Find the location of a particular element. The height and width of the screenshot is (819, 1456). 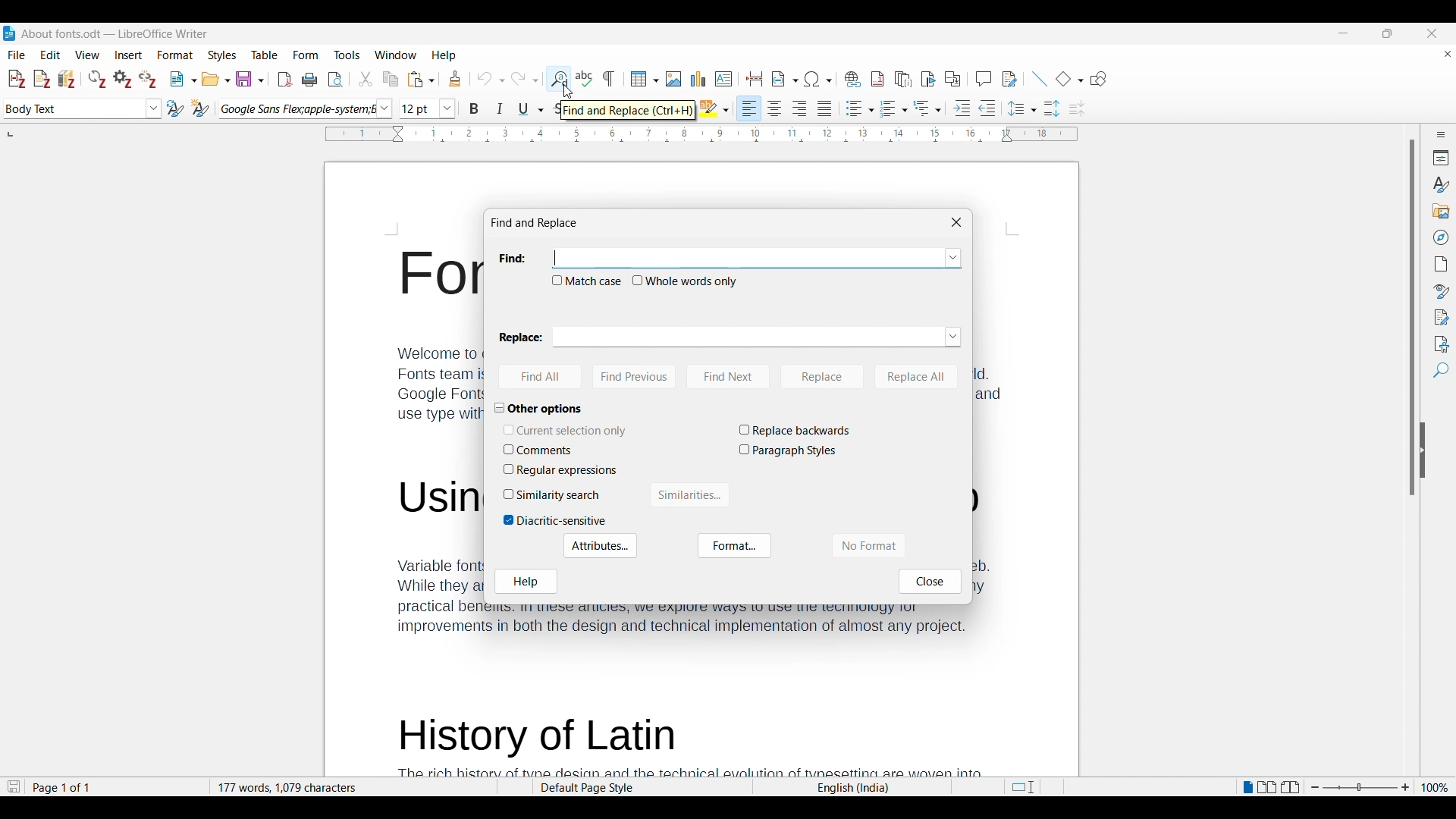

Font options is located at coordinates (384, 108).